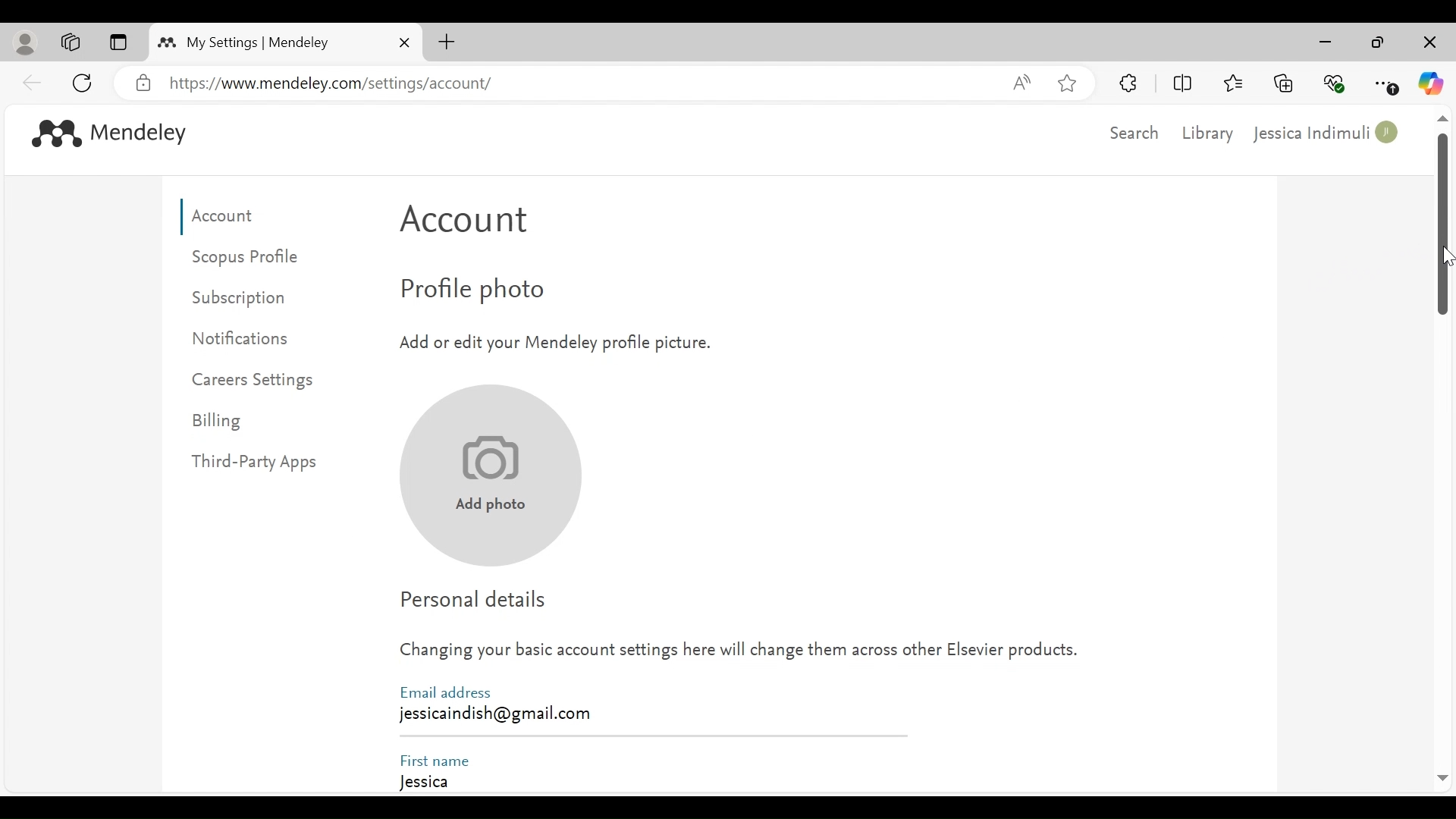 Image resolution: width=1456 pixels, height=819 pixels. Describe the element at coordinates (1442, 779) in the screenshot. I see `Scroll Down` at that location.